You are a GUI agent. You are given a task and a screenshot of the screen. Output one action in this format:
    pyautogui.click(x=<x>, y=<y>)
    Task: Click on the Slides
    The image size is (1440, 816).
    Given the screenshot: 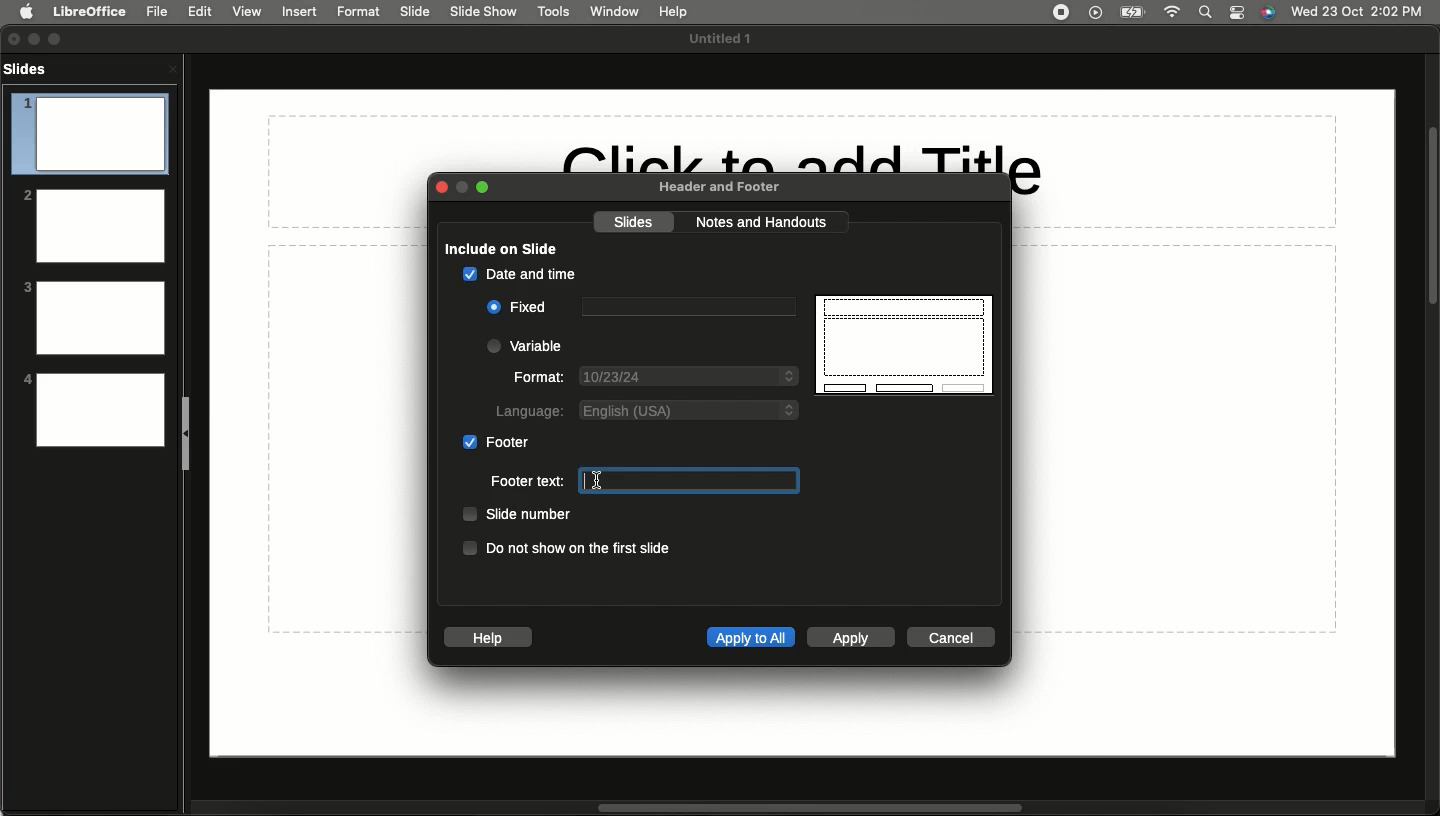 What is the action you would take?
    pyautogui.click(x=31, y=68)
    